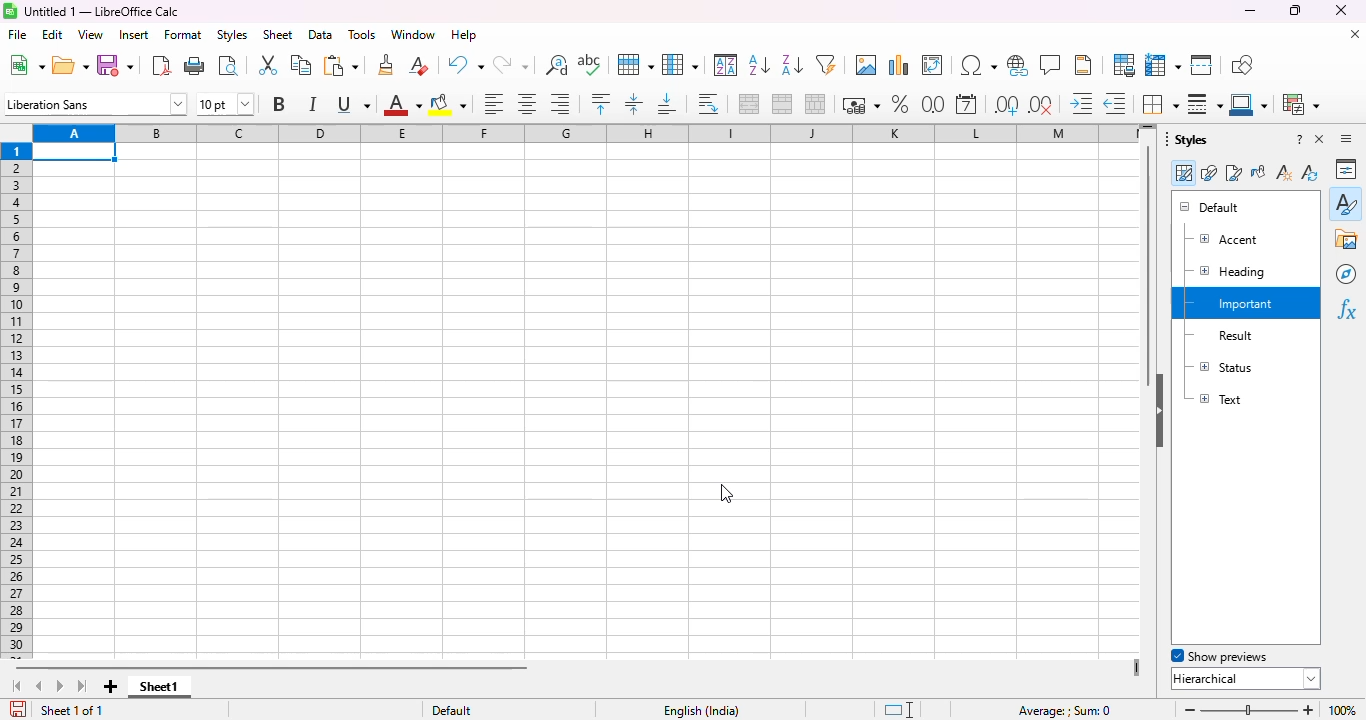 The height and width of the screenshot is (720, 1366). What do you see at coordinates (1018, 65) in the screenshot?
I see `insert hyperlink` at bounding box center [1018, 65].